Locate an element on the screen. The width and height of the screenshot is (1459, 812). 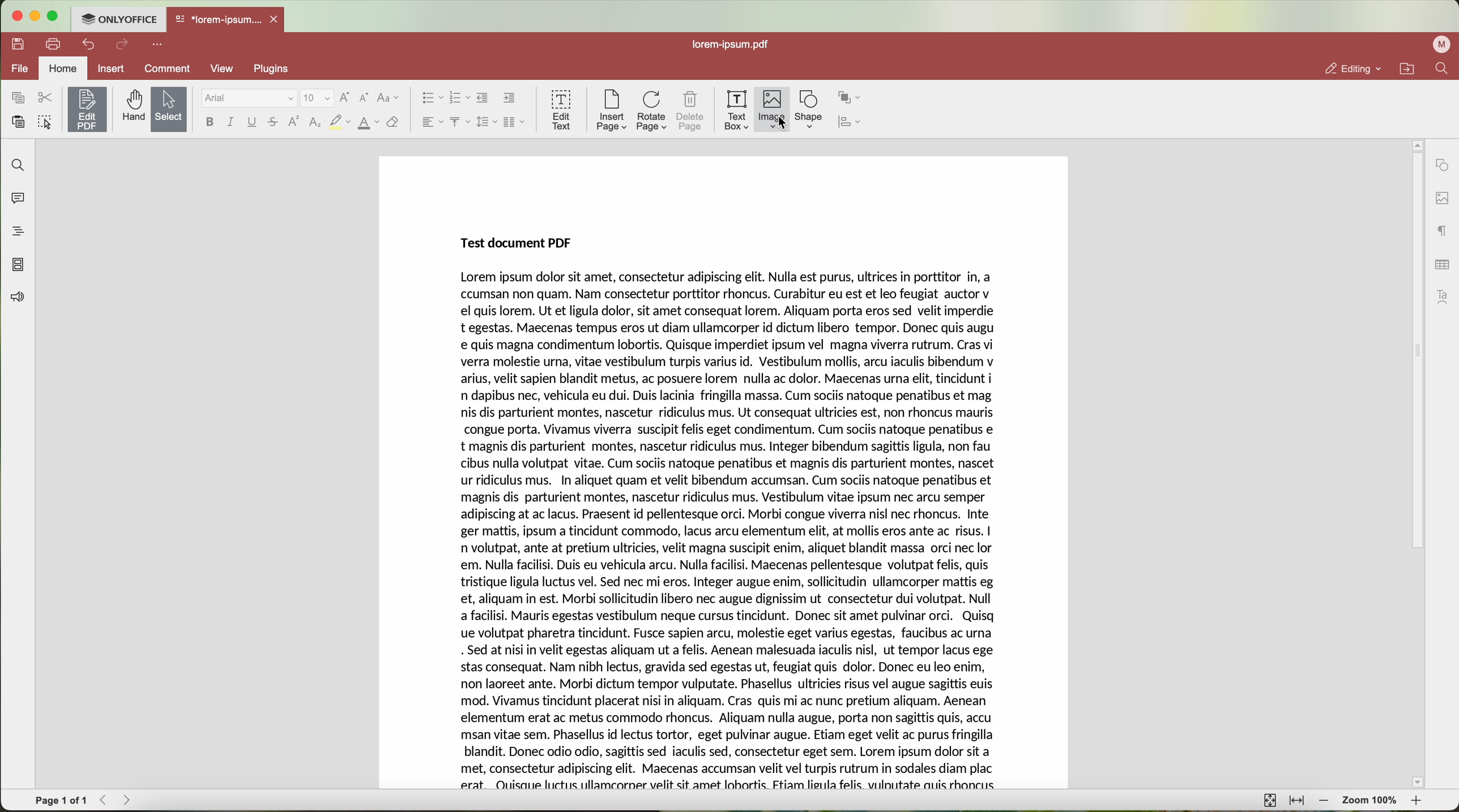
zoom 100% is located at coordinates (1371, 802).